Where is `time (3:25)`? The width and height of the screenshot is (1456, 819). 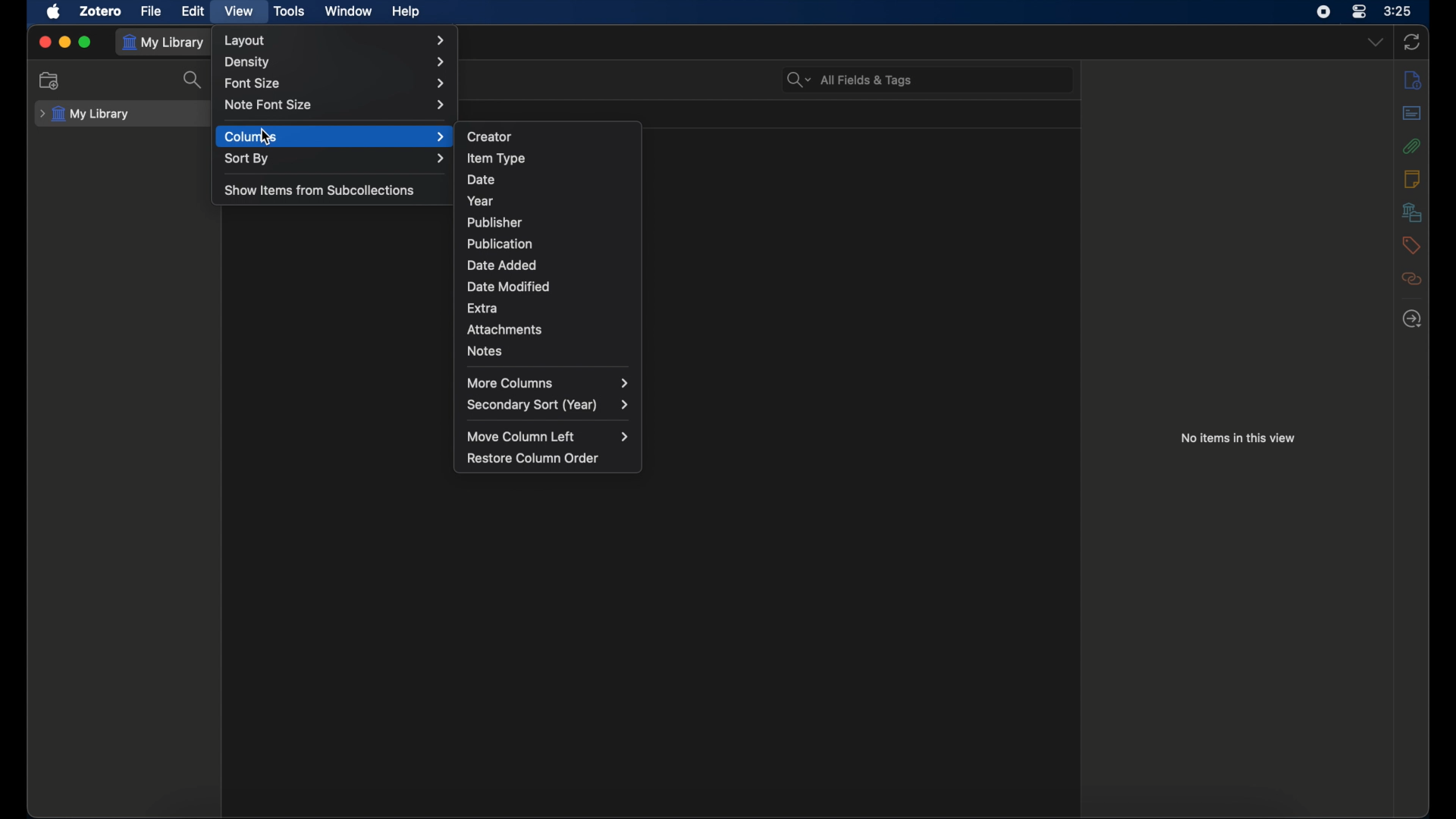
time (3:25) is located at coordinates (1400, 11).